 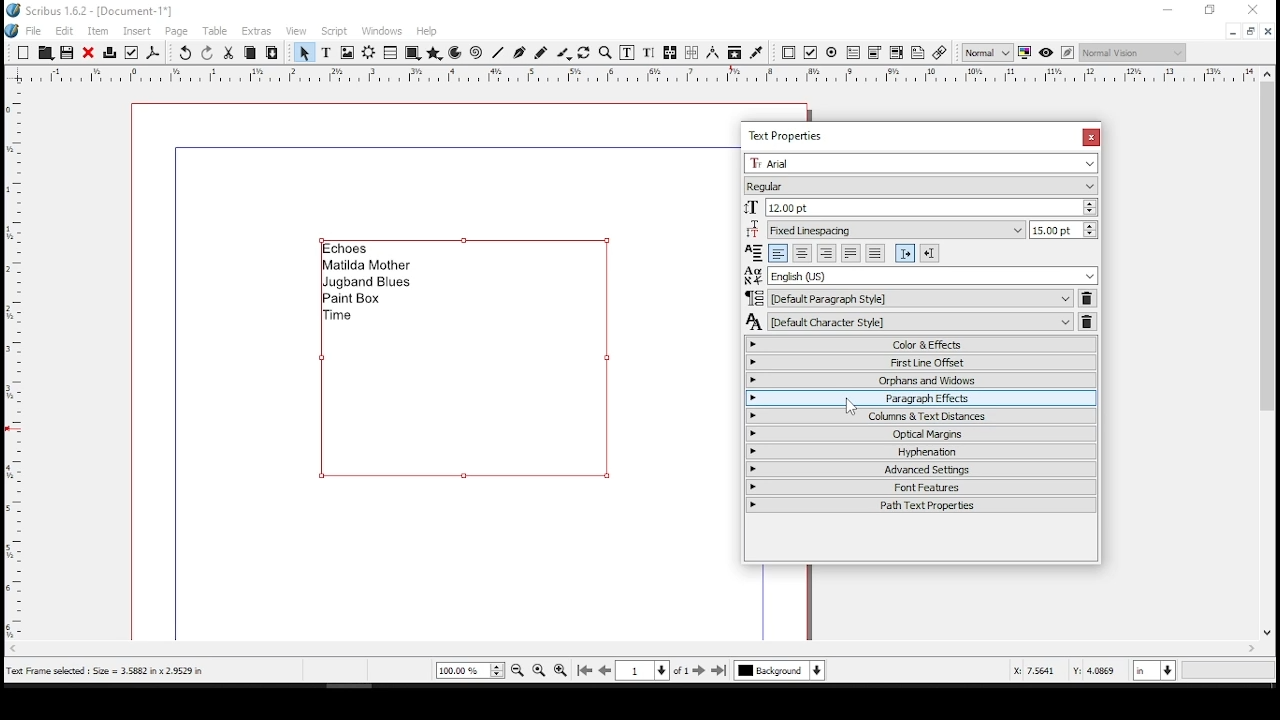 I want to click on PDF push button, so click(x=789, y=52).